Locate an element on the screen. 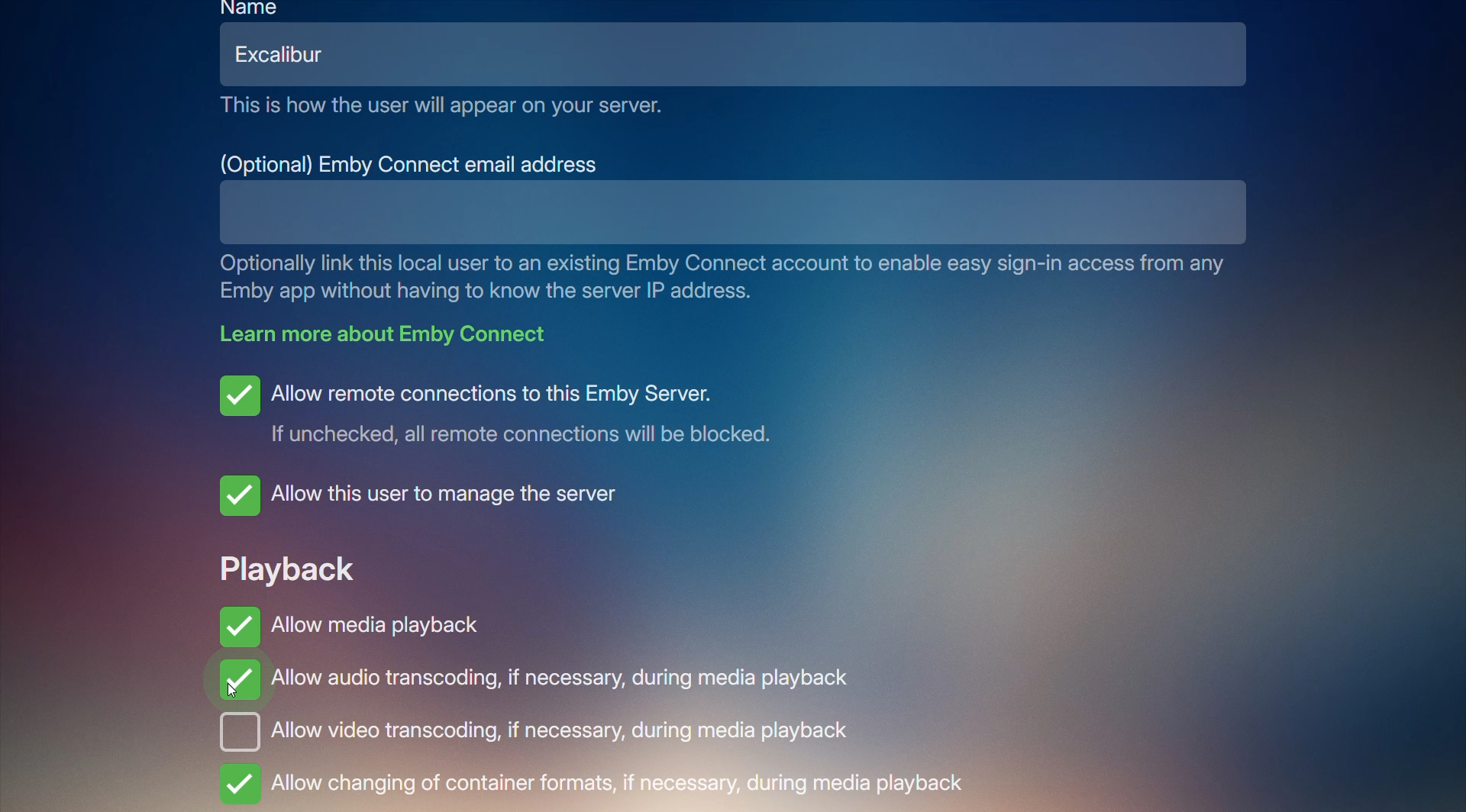 Image resolution: width=1466 pixels, height=812 pixels. + Allow changing of container formats, if necessary, during media playback is located at coordinates (597, 785).